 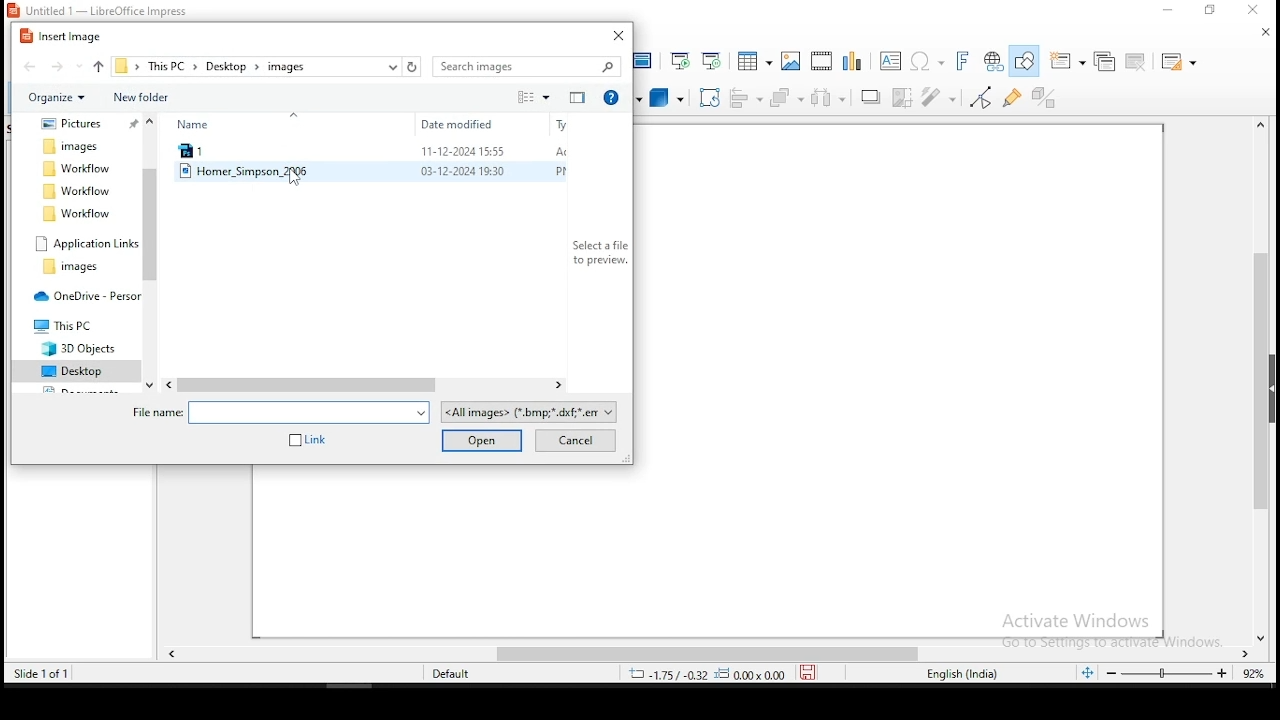 I want to click on start from current slide, so click(x=715, y=59).